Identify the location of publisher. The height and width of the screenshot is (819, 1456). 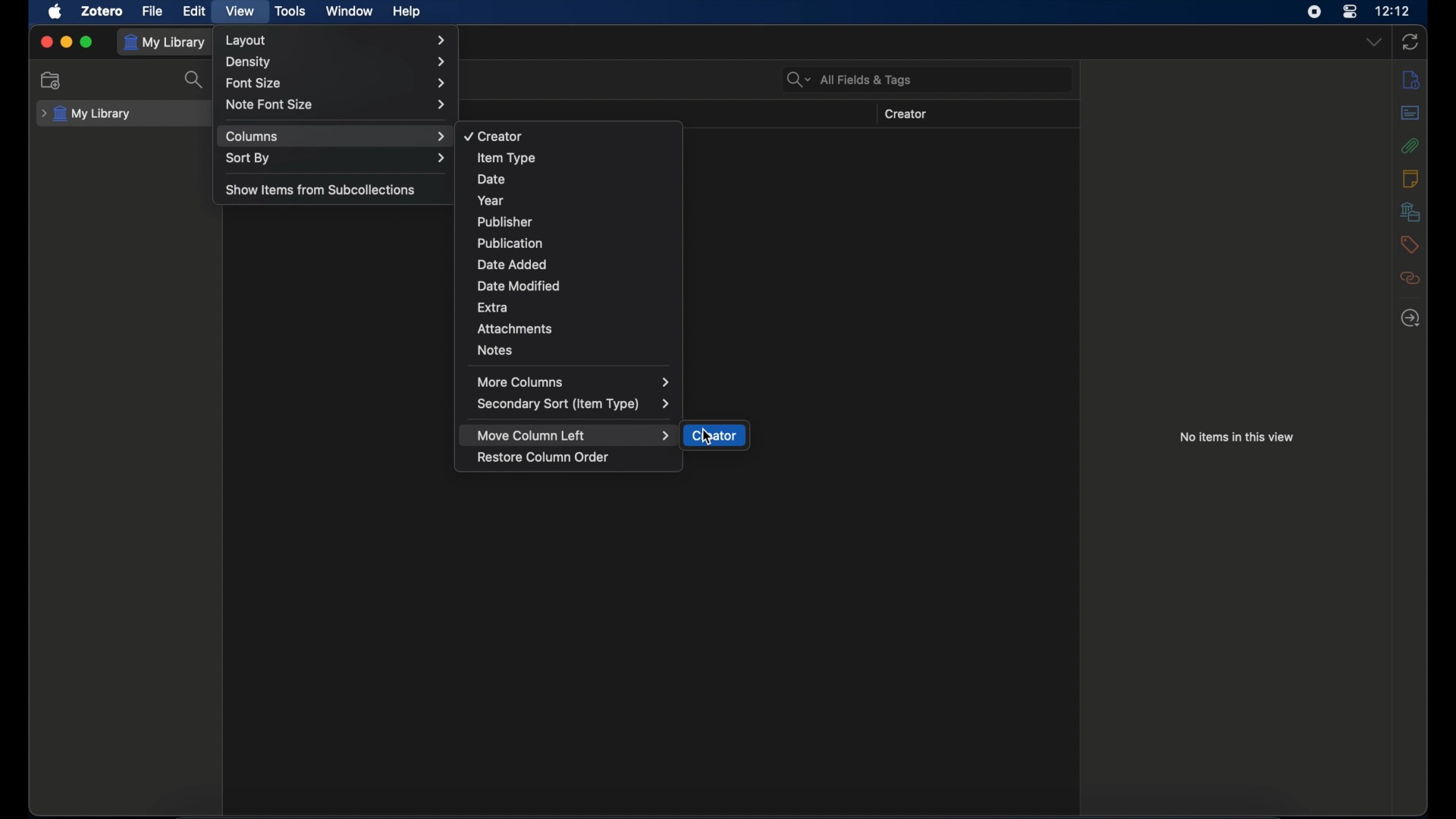
(504, 222).